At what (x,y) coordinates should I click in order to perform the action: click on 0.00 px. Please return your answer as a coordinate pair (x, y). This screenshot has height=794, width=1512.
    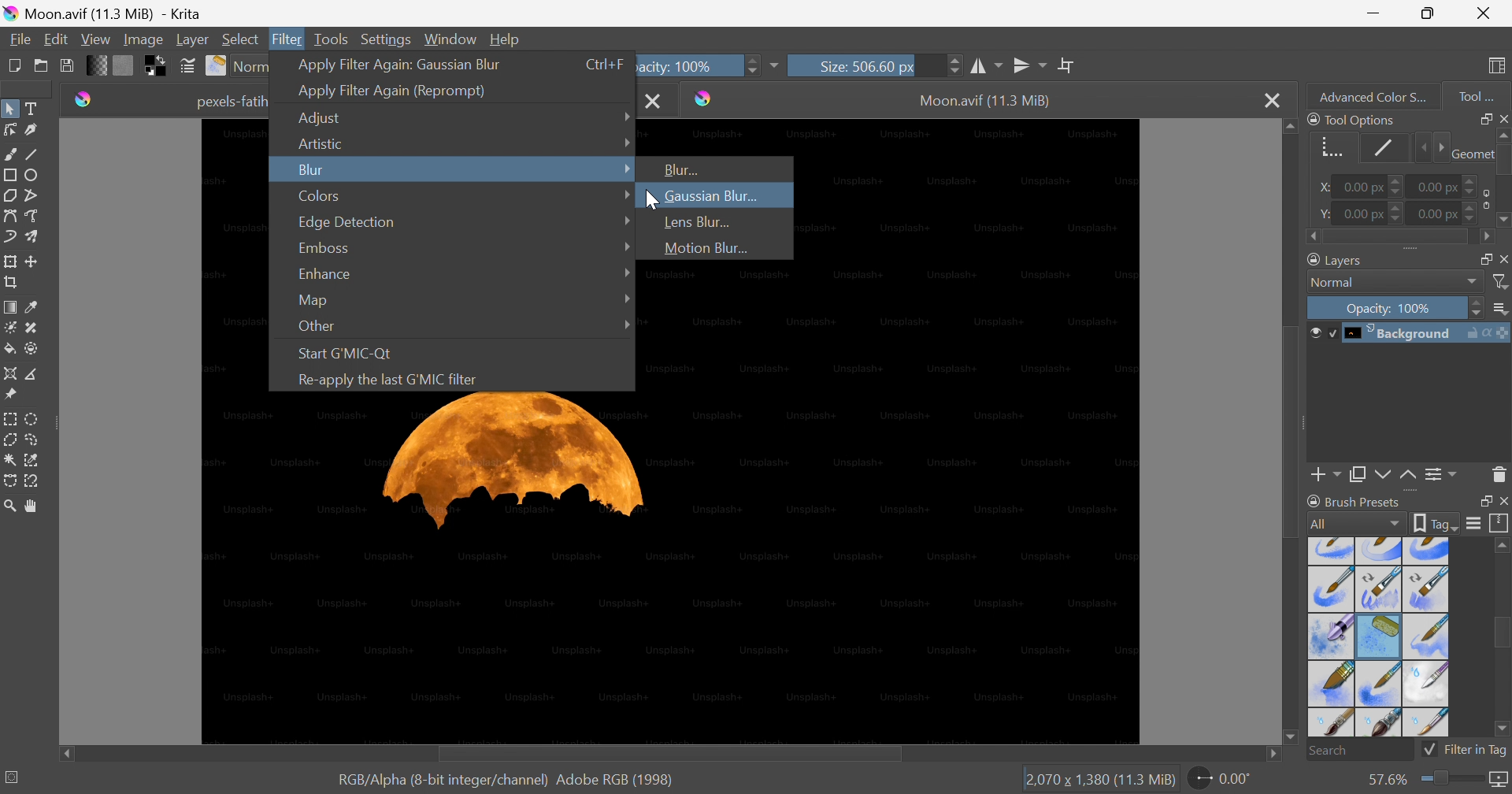
    Looking at the image, I should click on (1368, 213).